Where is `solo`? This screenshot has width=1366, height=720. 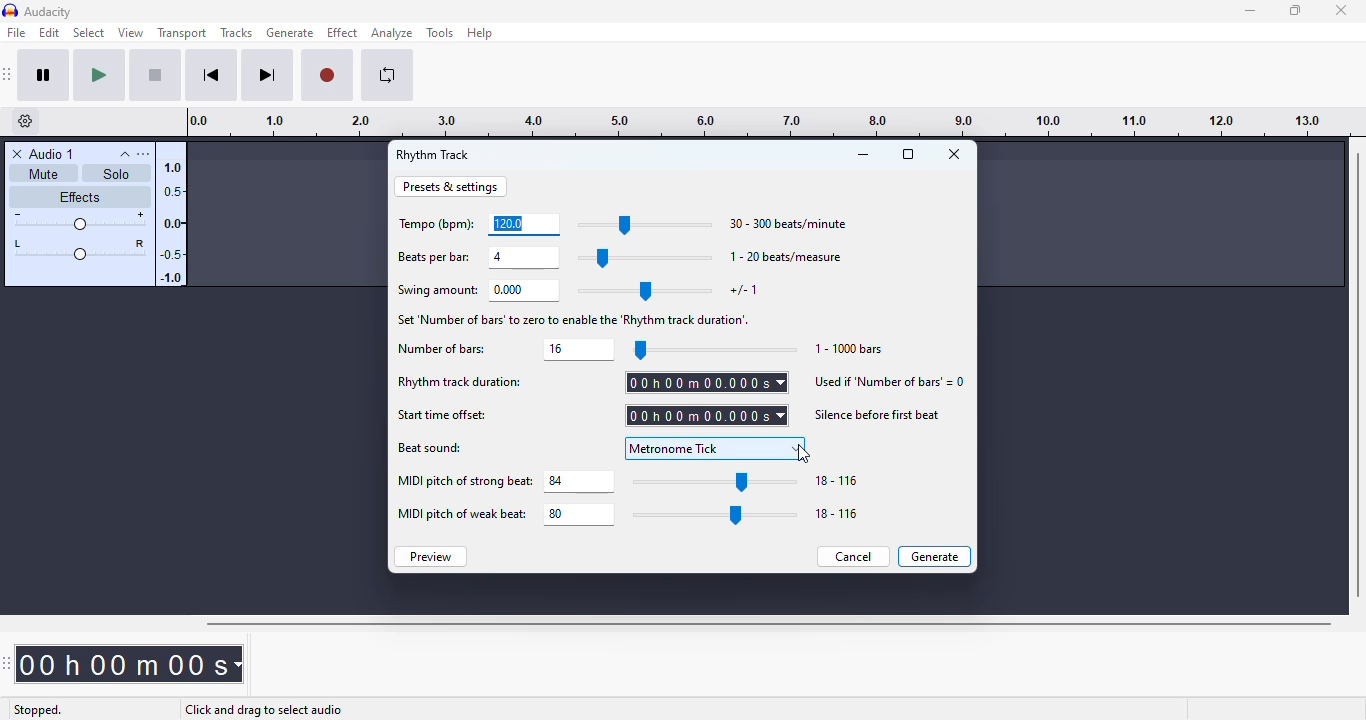
solo is located at coordinates (117, 173).